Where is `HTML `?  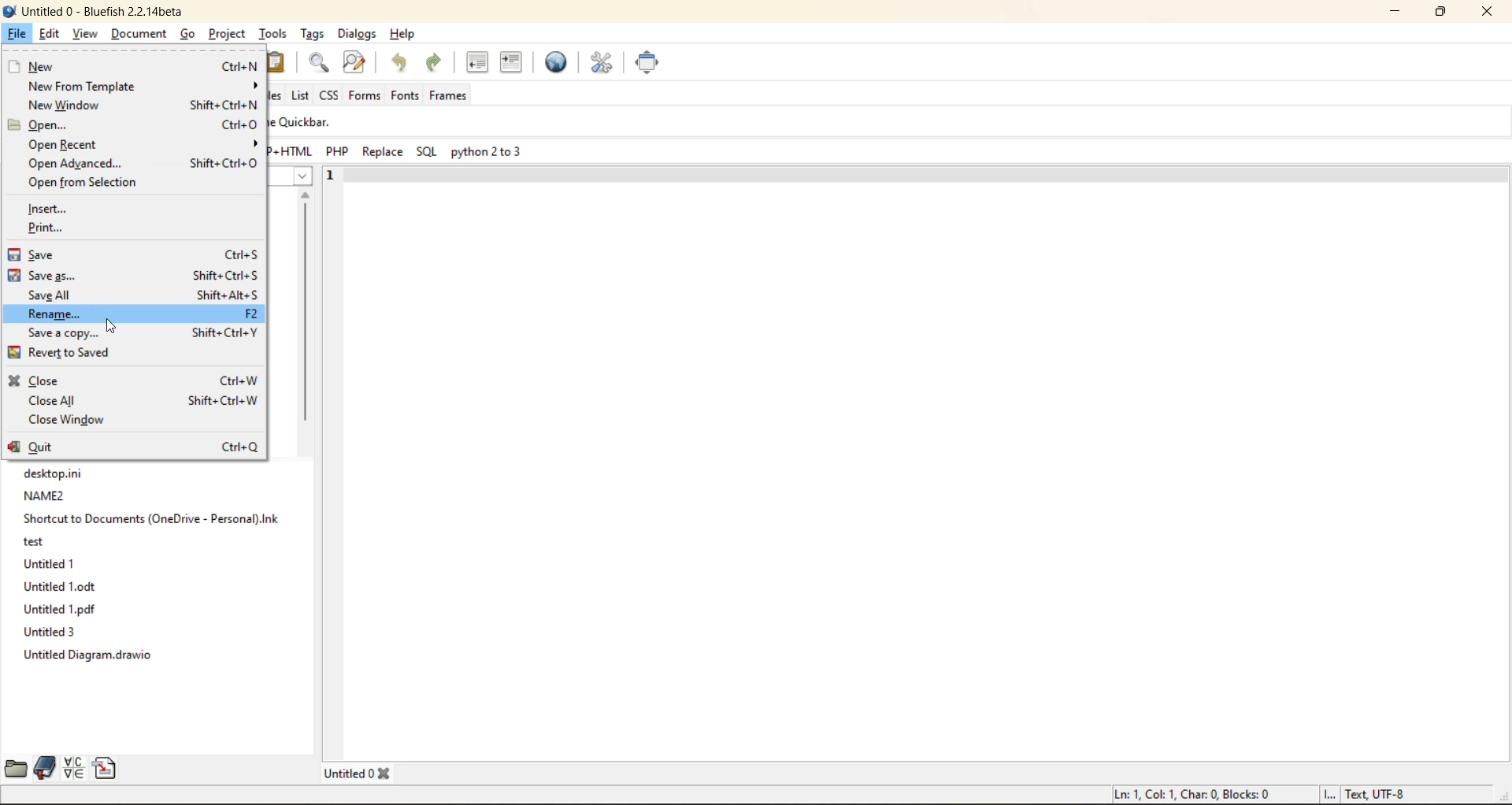 HTML  is located at coordinates (291, 152).